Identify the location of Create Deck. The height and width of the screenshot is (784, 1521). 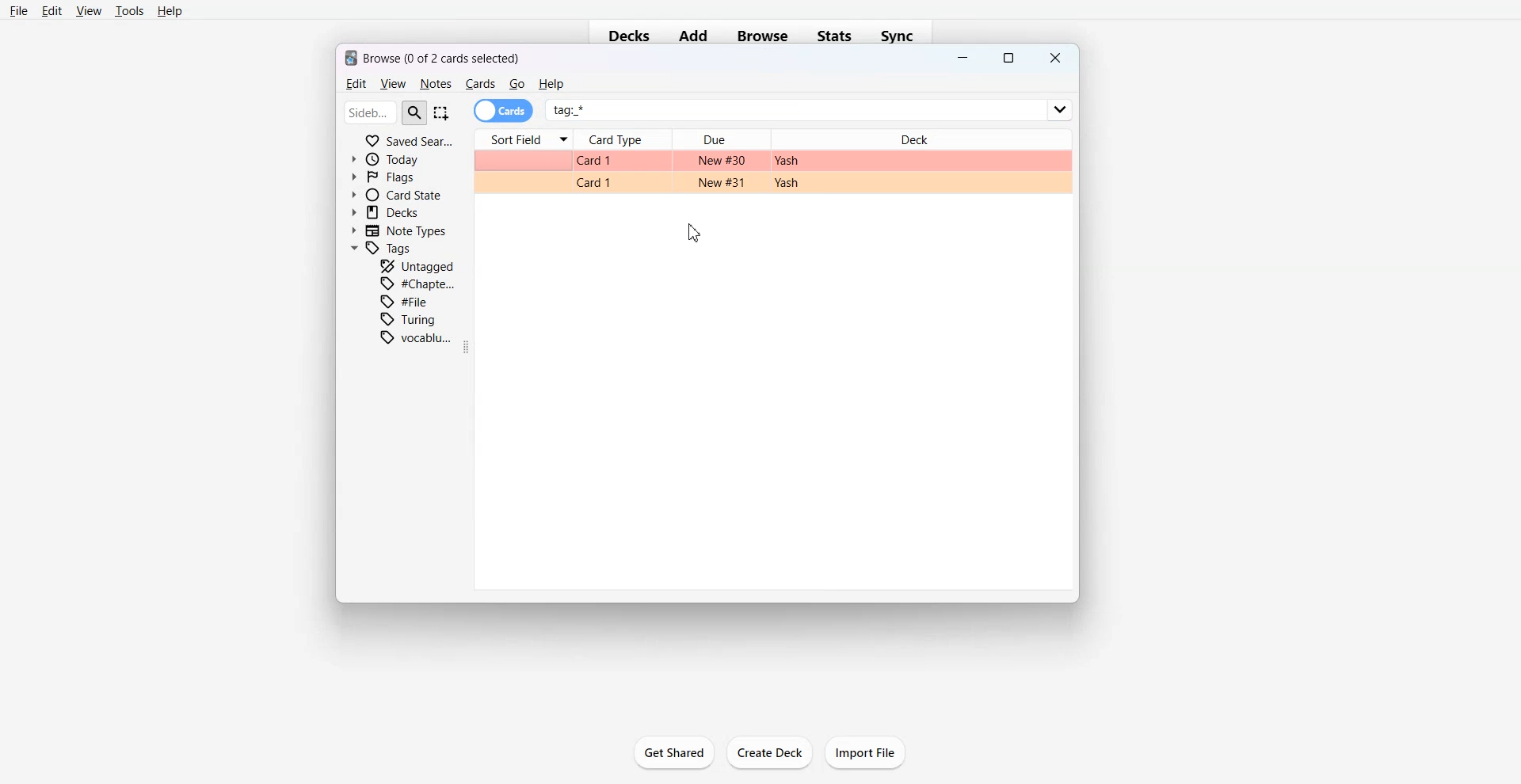
(770, 753).